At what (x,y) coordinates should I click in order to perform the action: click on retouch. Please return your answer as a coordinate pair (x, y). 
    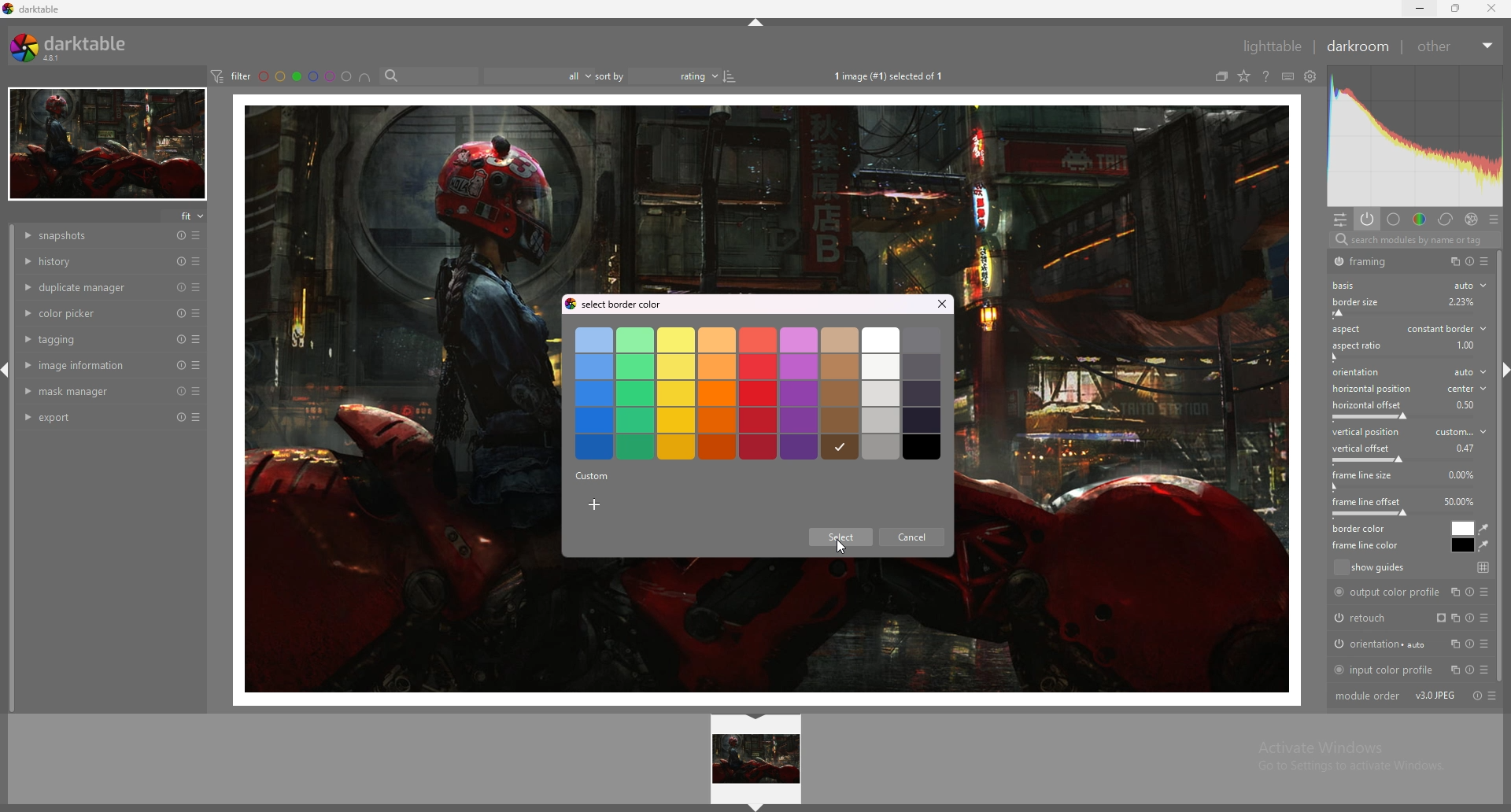
    Looking at the image, I should click on (1406, 617).